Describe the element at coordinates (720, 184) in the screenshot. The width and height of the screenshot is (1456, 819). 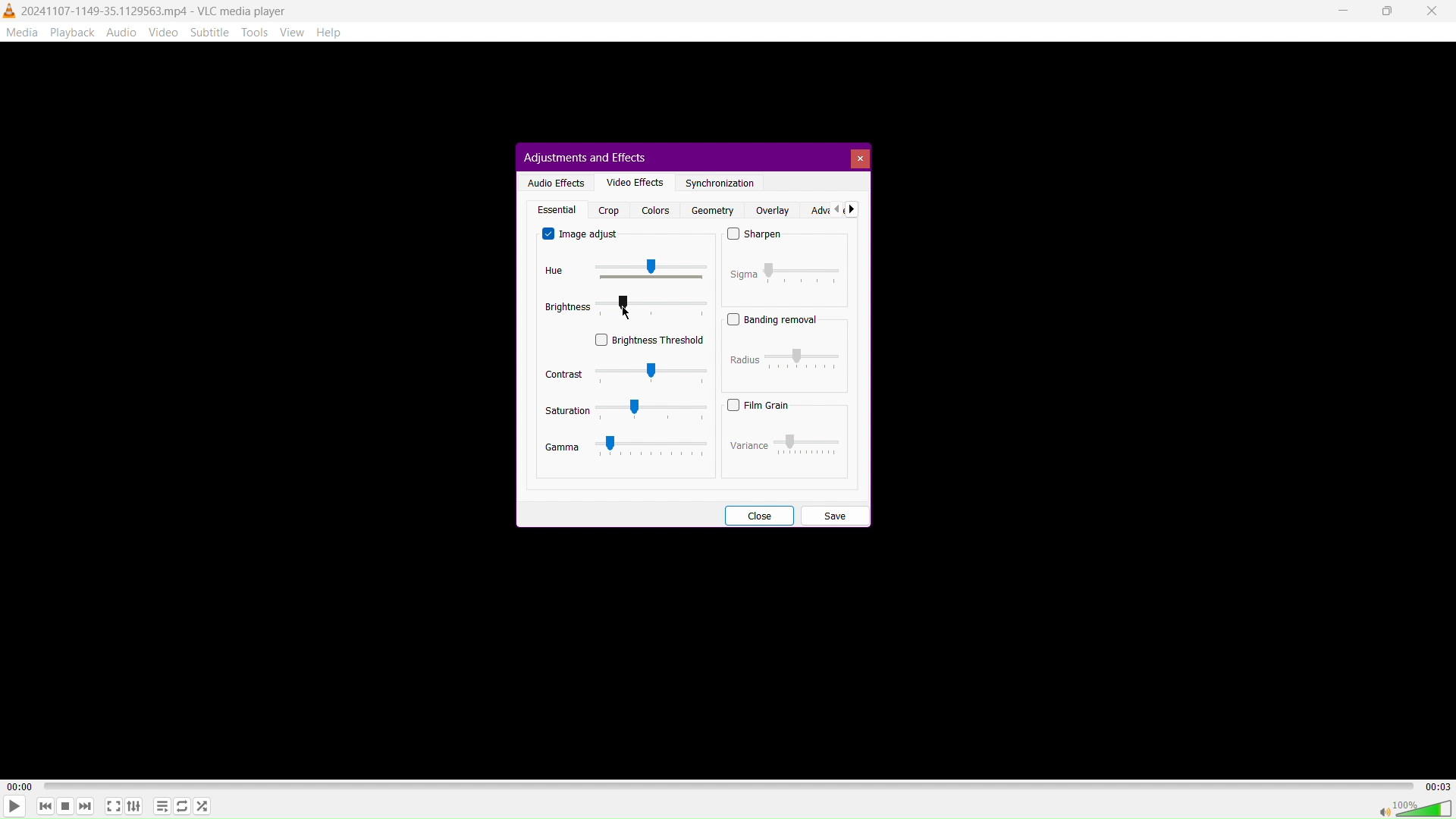
I see `Synchronization` at that location.